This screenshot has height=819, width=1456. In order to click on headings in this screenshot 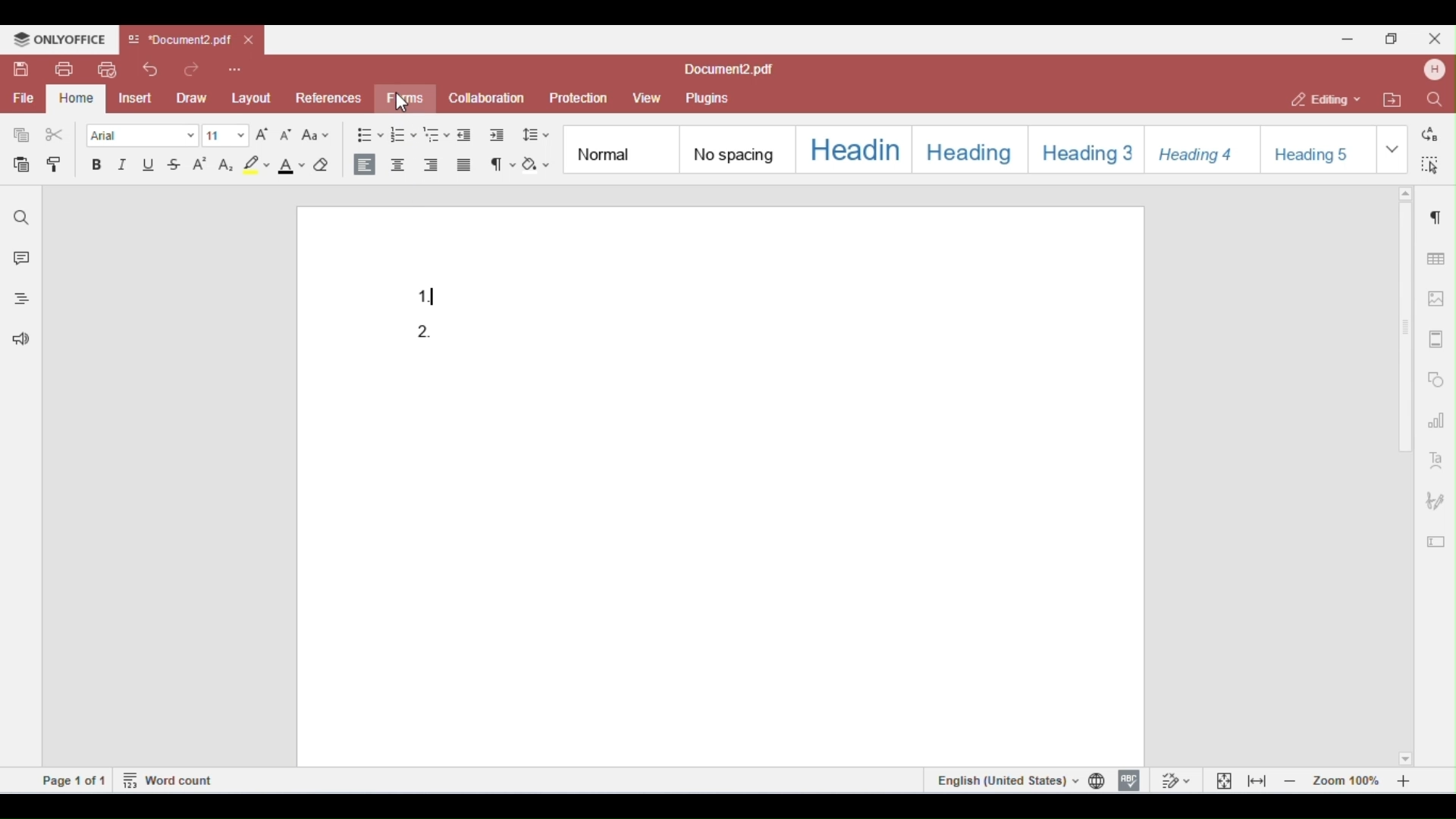, I will do `click(17, 301)`.